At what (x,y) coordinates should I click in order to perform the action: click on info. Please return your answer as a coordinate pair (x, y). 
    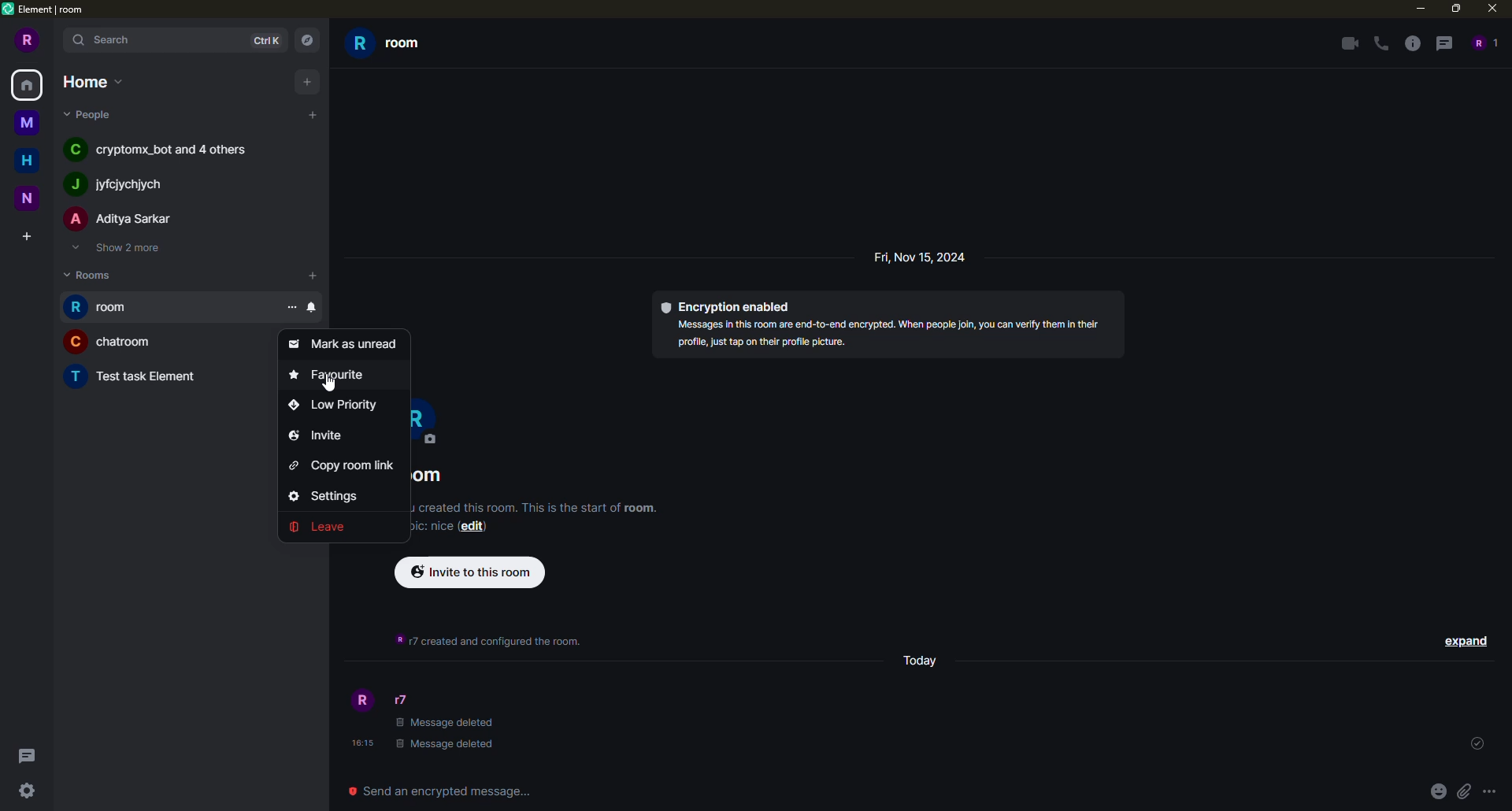
    Looking at the image, I should click on (1412, 44).